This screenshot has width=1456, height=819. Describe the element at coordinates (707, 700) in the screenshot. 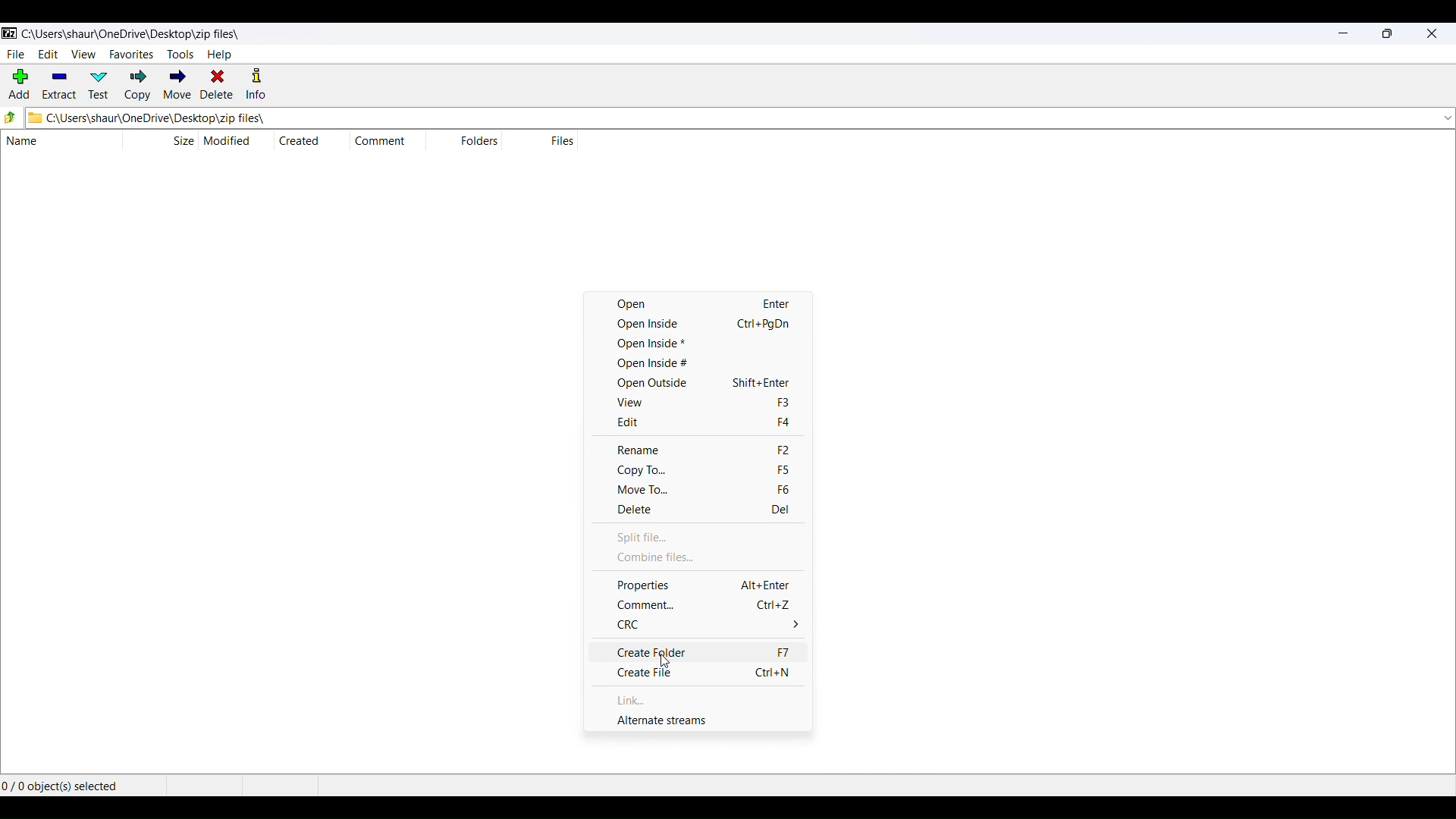

I see `link` at that location.